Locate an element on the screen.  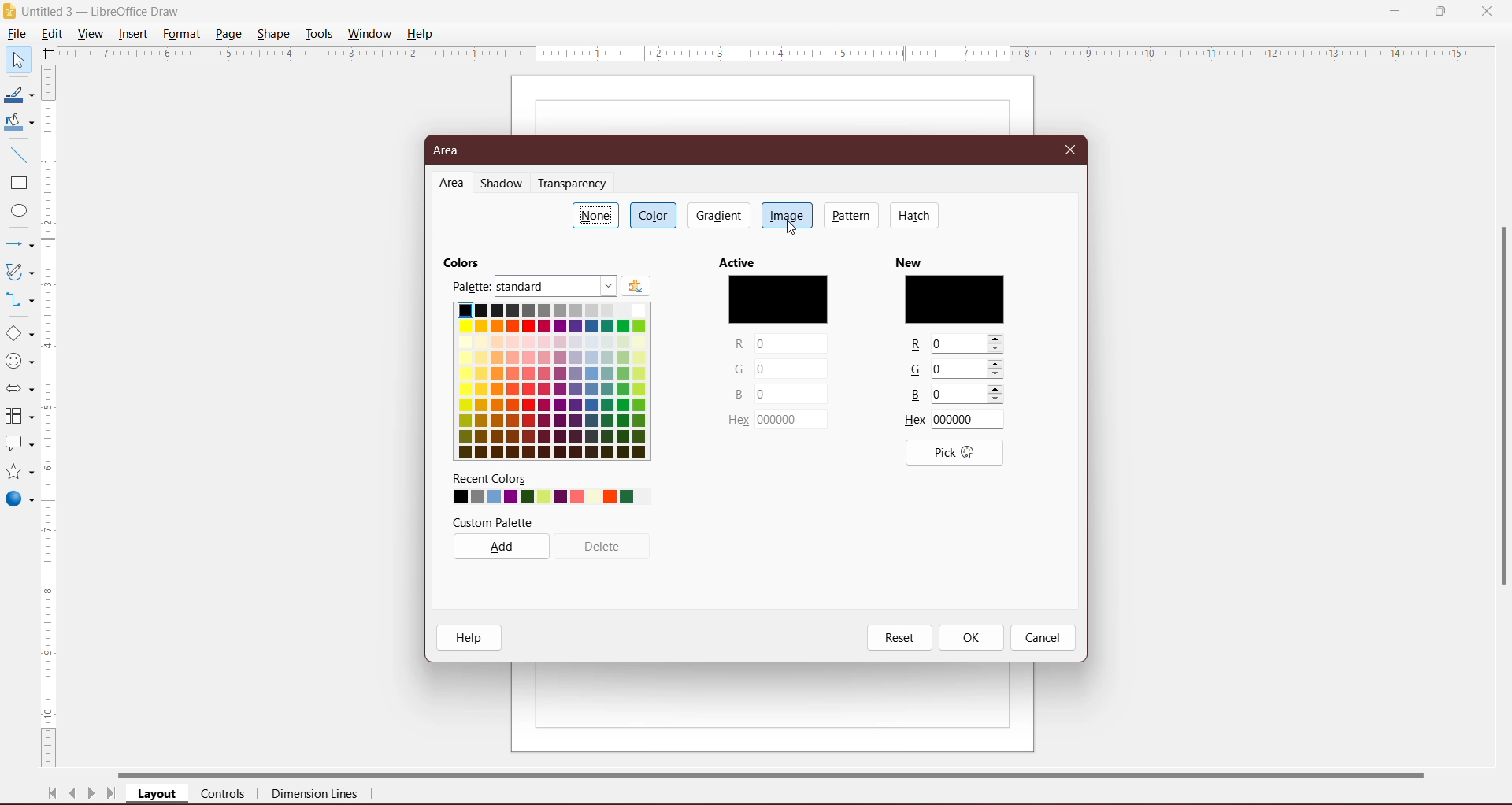
Colors is located at coordinates (466, 261).